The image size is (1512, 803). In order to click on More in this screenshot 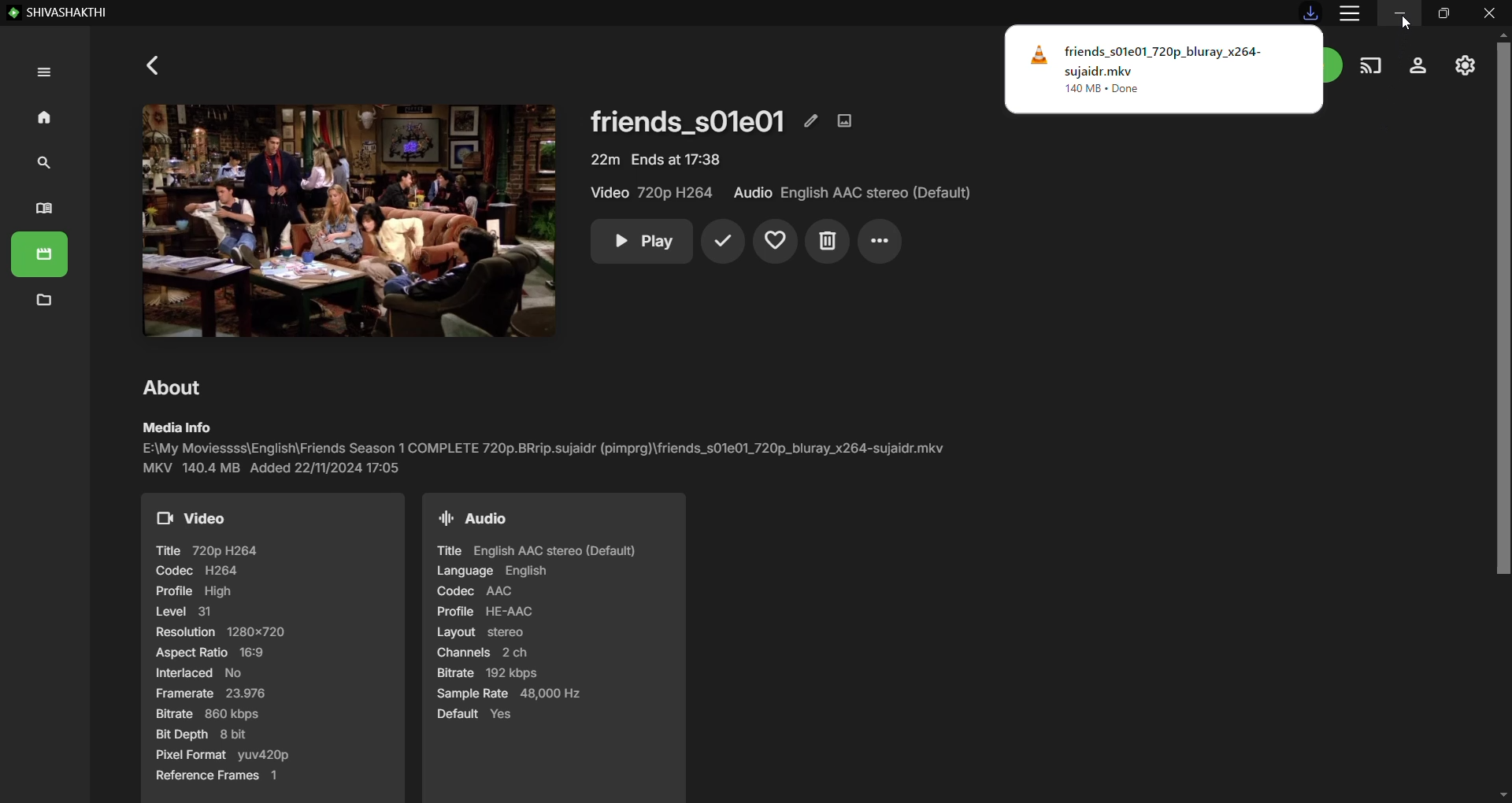, I will do `click(880, 242)`.